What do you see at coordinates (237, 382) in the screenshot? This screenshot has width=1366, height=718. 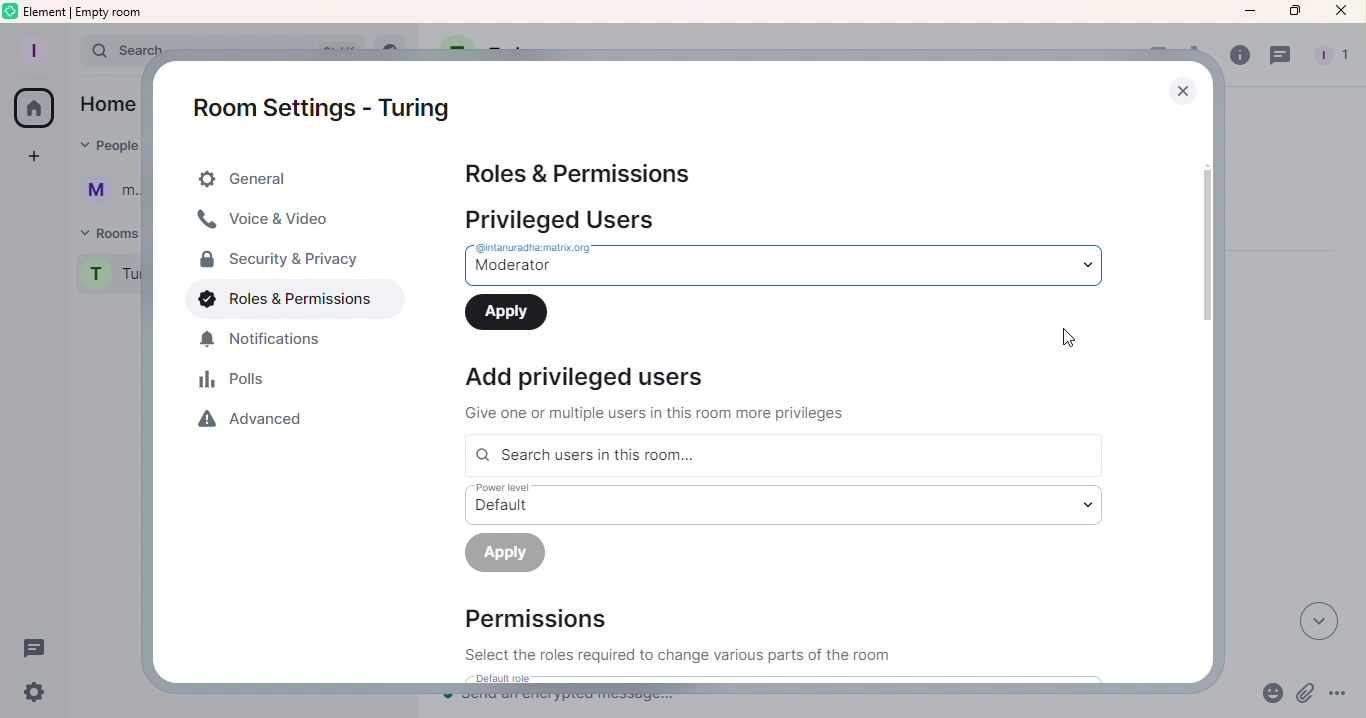 I see `Polls` at bounding box center [237, 382].